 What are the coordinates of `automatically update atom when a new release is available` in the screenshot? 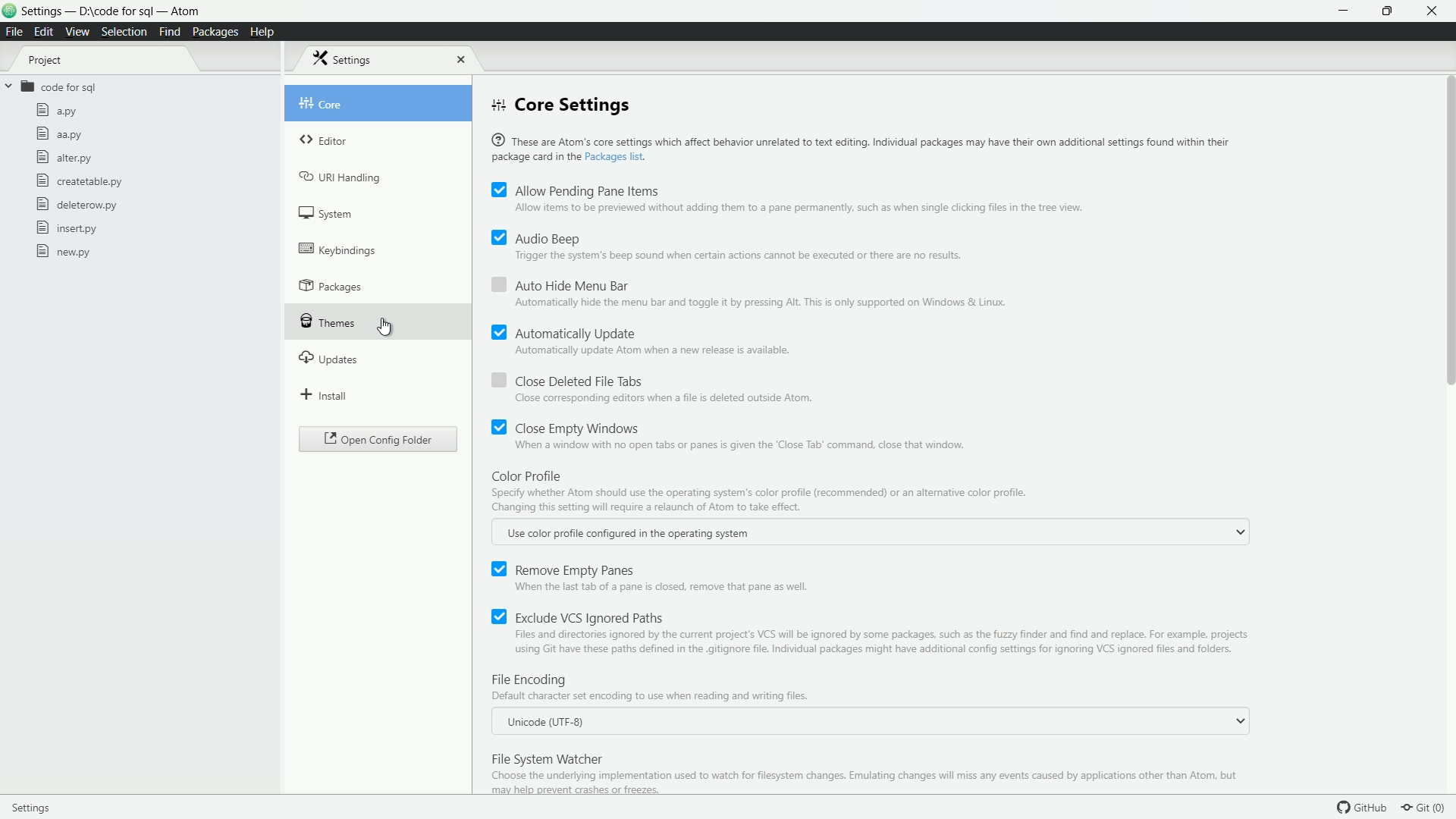 It's located at (651, 352).